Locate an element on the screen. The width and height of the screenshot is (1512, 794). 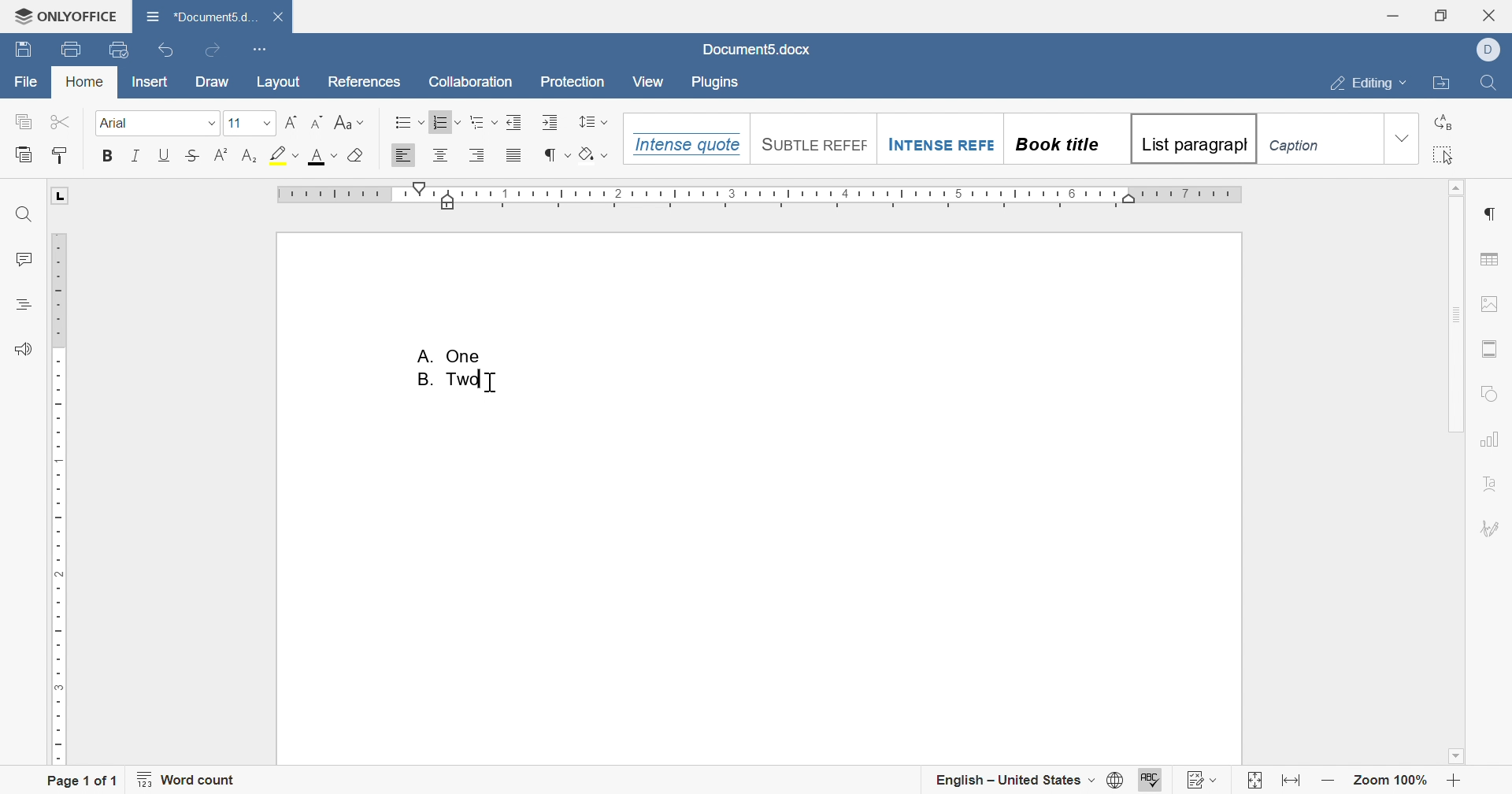
Copy style is located at coordinates (61, 154).